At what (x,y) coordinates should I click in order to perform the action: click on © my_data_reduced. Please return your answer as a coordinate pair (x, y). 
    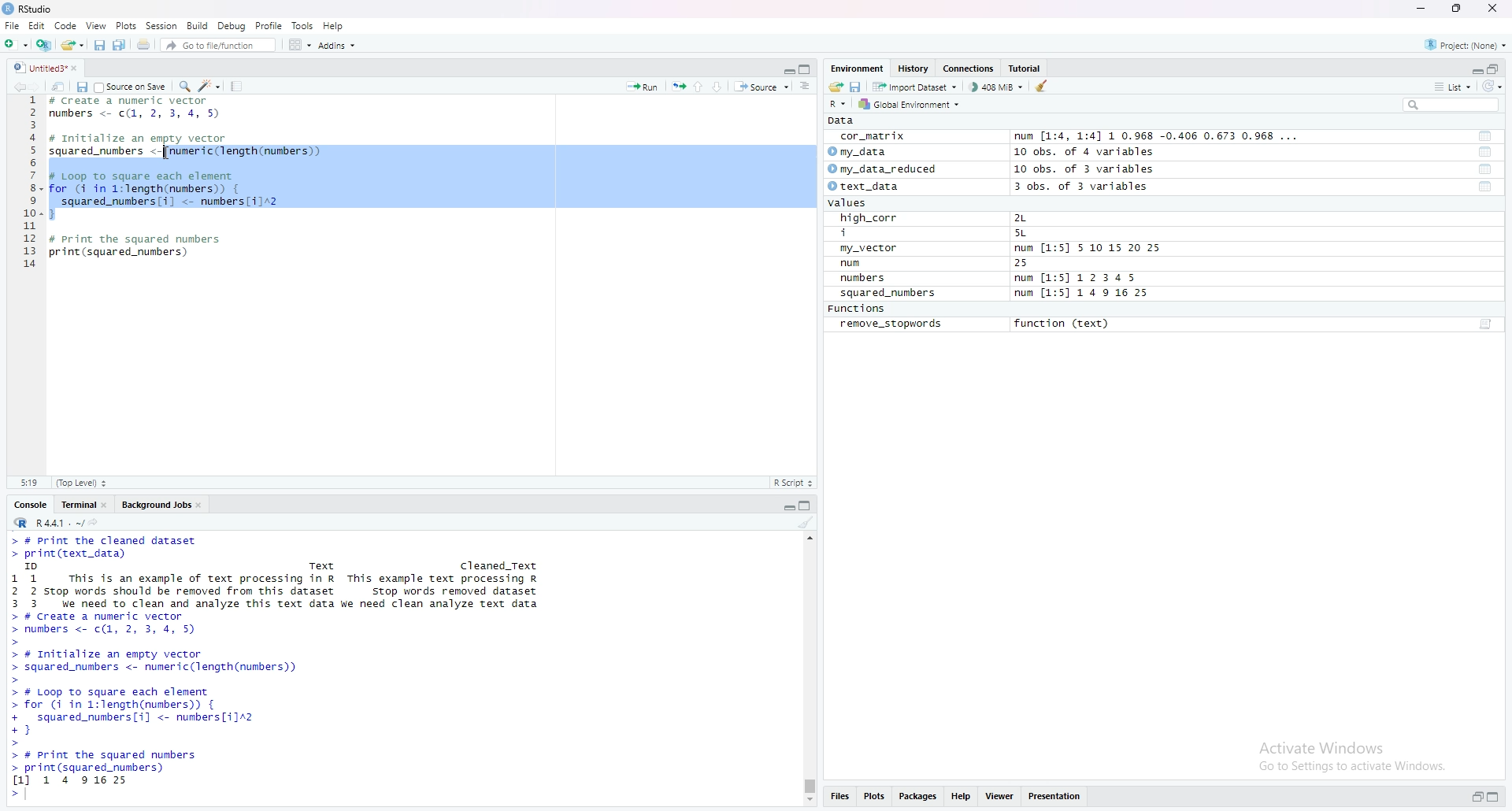
    Looking at the image, I should click on (880, 169).